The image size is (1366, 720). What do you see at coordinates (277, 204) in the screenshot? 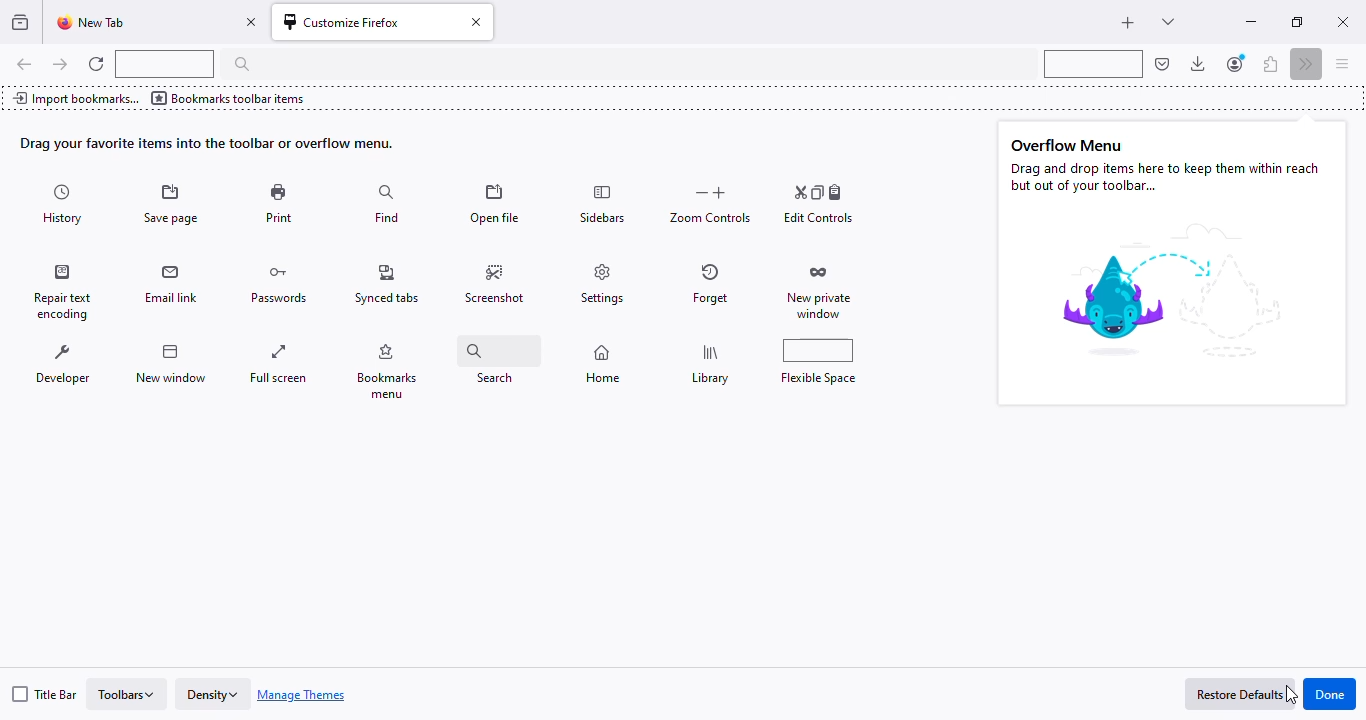
I see `print` at bounding box center [277, 204].